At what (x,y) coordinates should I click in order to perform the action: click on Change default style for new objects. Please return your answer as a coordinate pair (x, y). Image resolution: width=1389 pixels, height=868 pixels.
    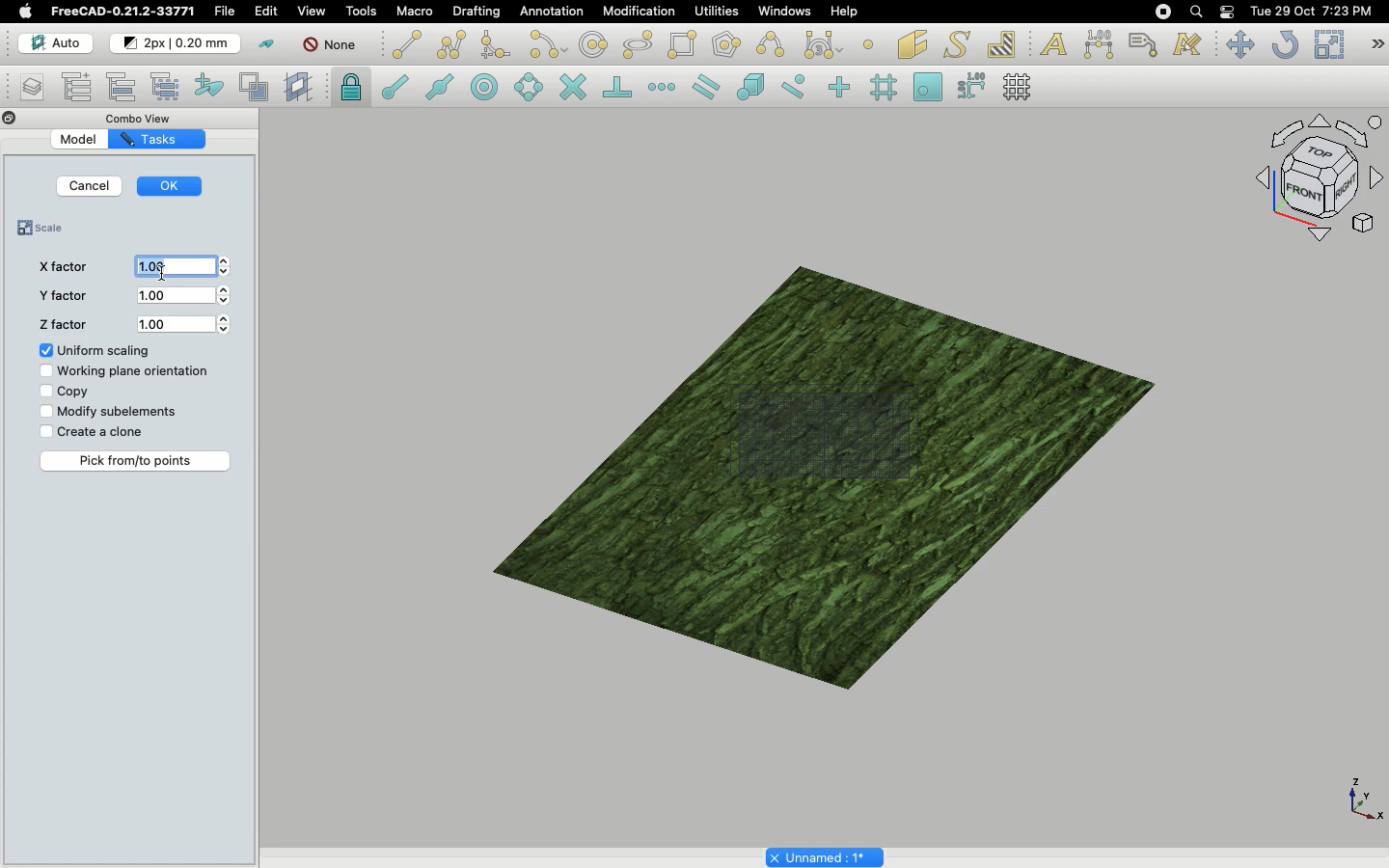
    Looking at the image, I should click on (177, 43).